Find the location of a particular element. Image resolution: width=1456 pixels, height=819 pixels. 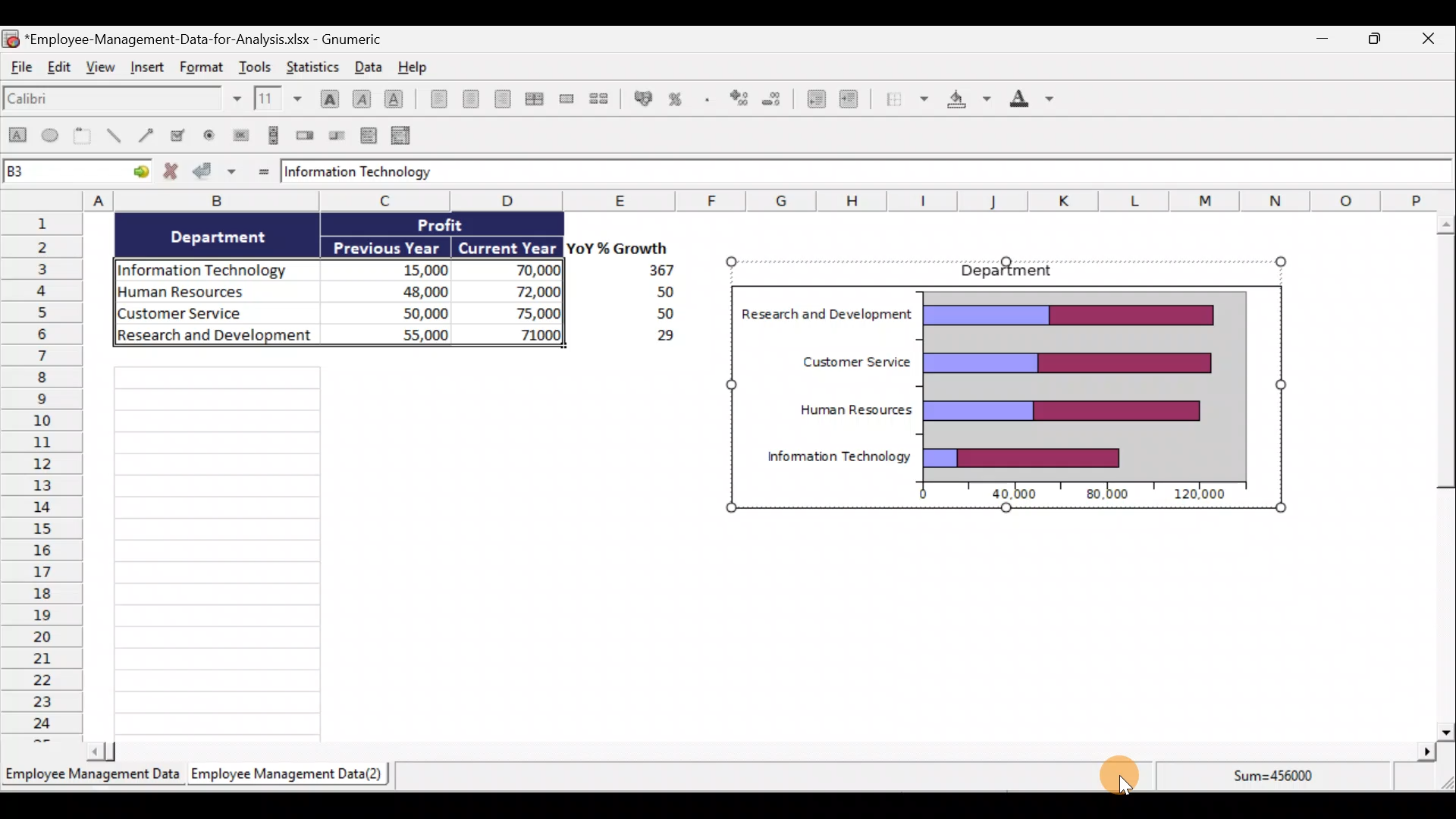

Format the selection as percentage is located at coordinates (679, 96).